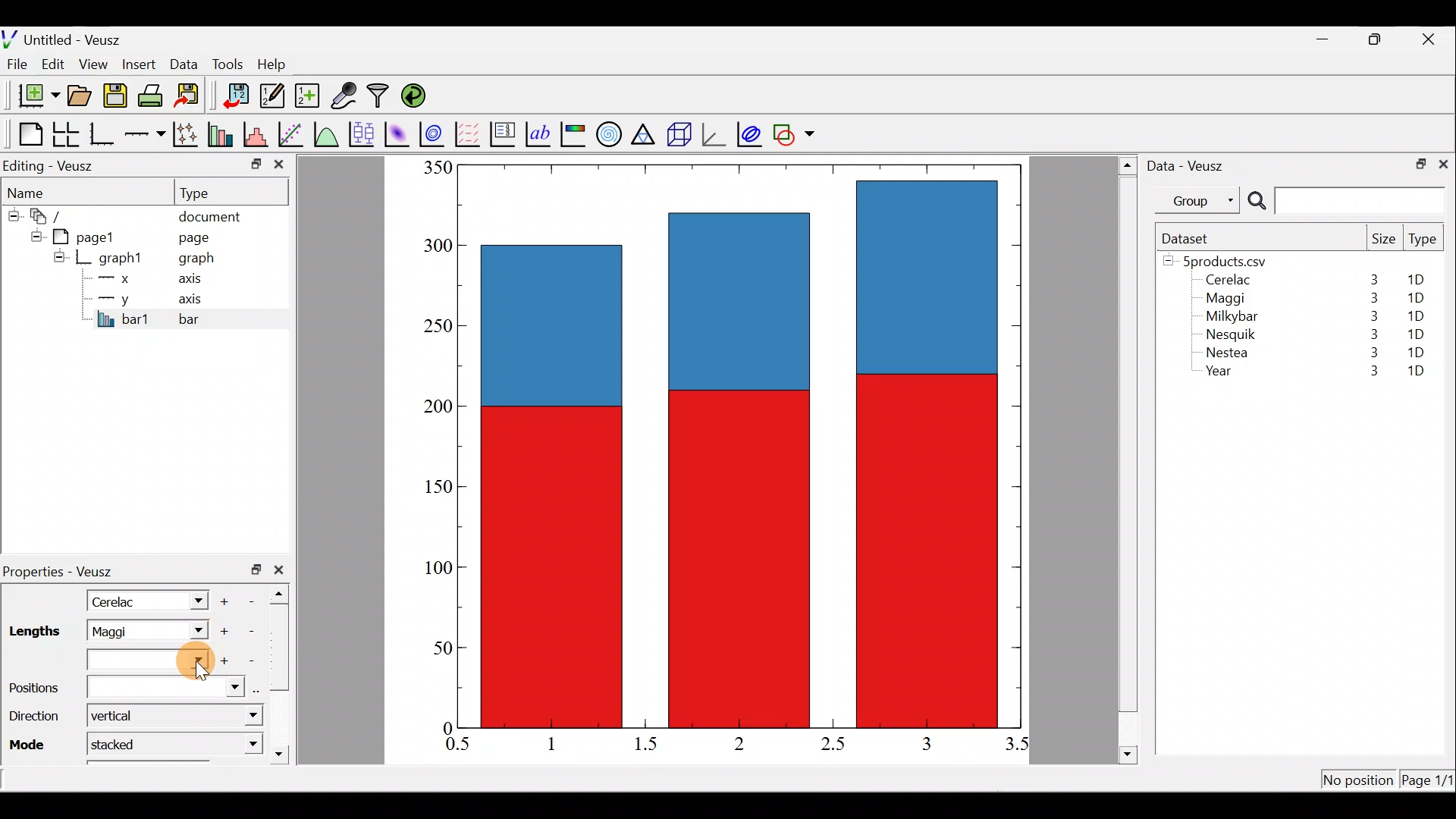 This screenshot has width=1456, height=819. What do you see at coordinates (117, 99) in the screenshot?
I see `Save the document` at bounding box center [117, 99].